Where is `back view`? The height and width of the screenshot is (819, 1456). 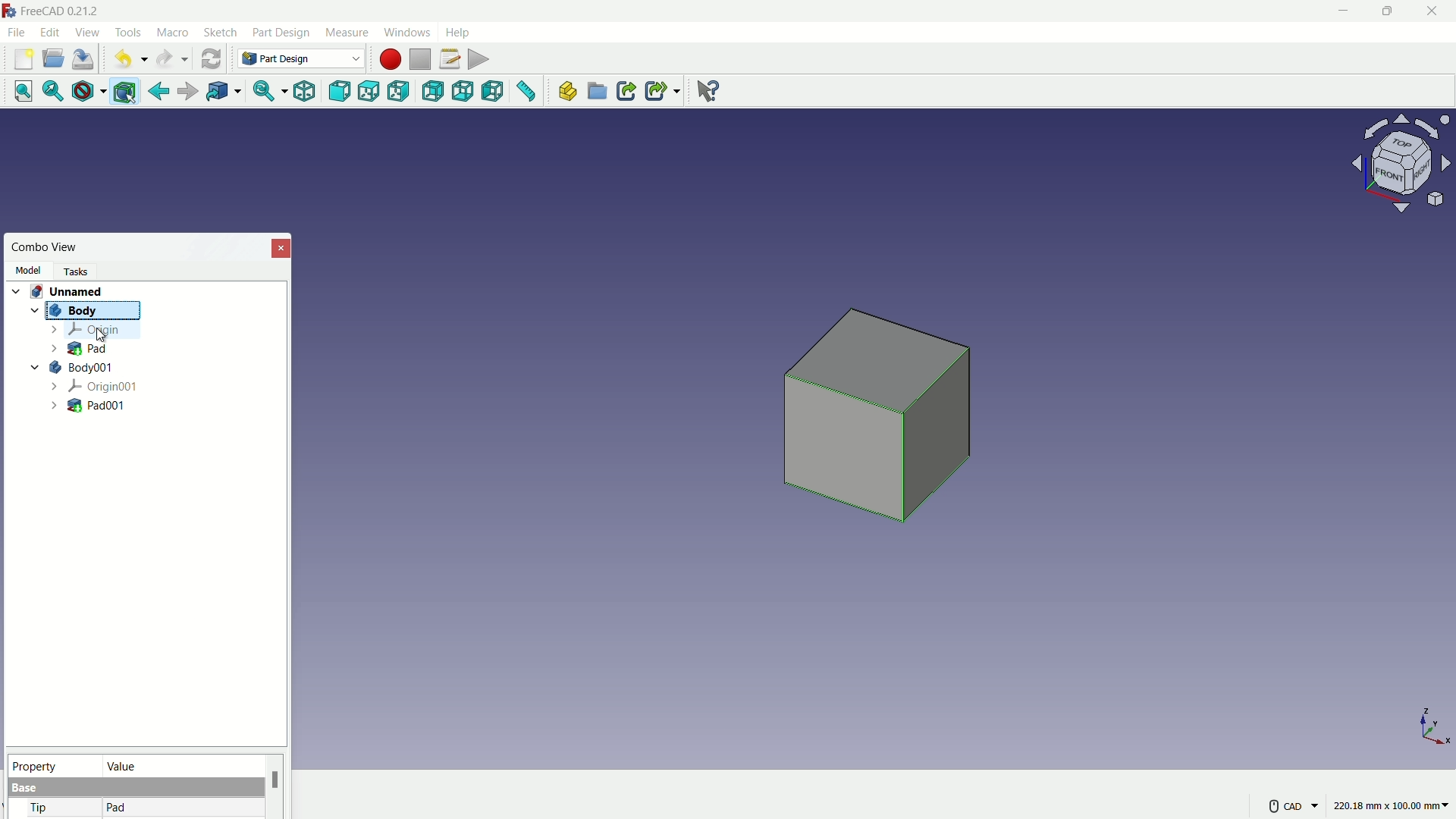 back view is located at coordinates (435, 93).